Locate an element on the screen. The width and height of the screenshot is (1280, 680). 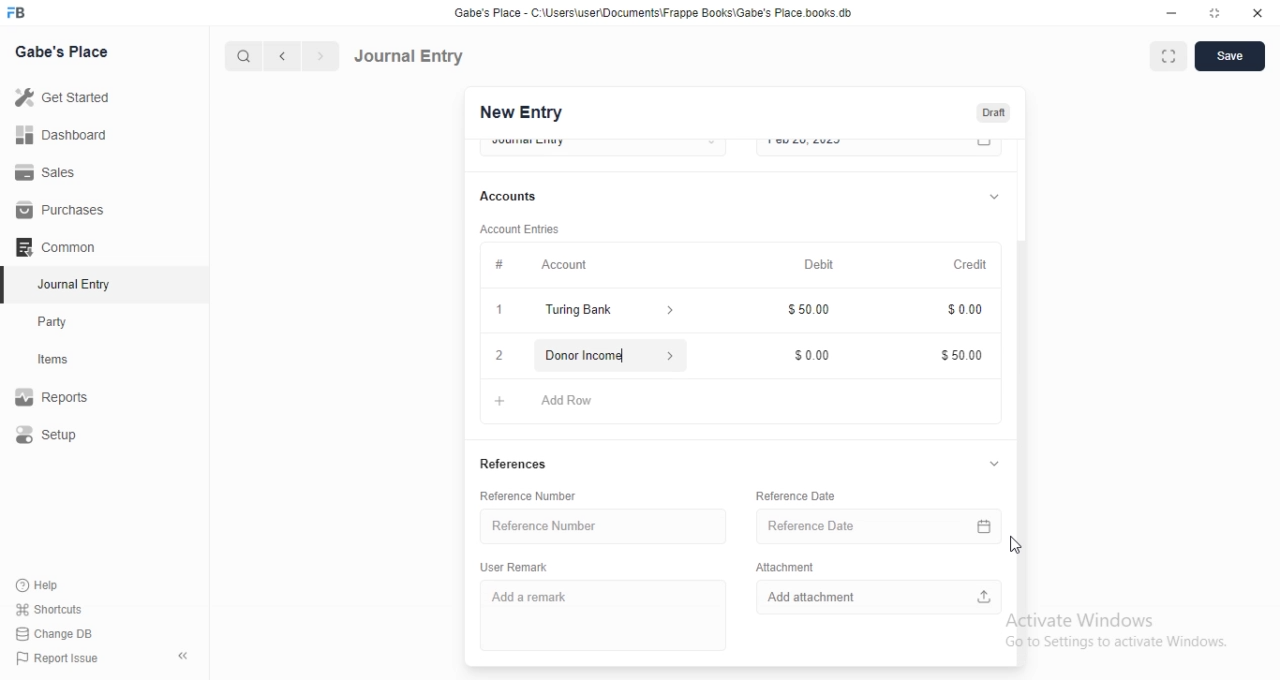
Reference Date is located at coordinates (862, 523).